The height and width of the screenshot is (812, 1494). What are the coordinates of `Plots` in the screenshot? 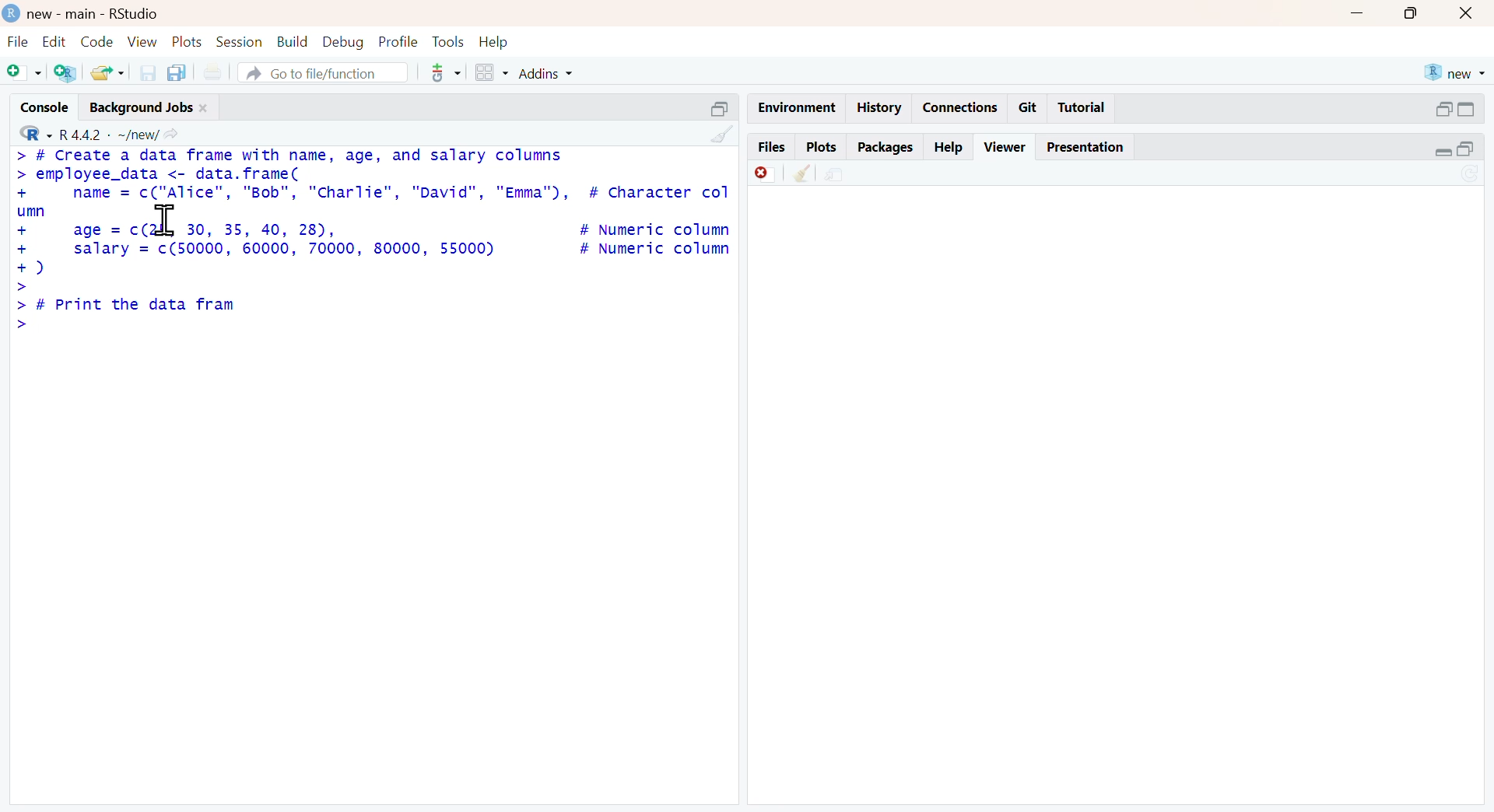 It's located at (819, 147).